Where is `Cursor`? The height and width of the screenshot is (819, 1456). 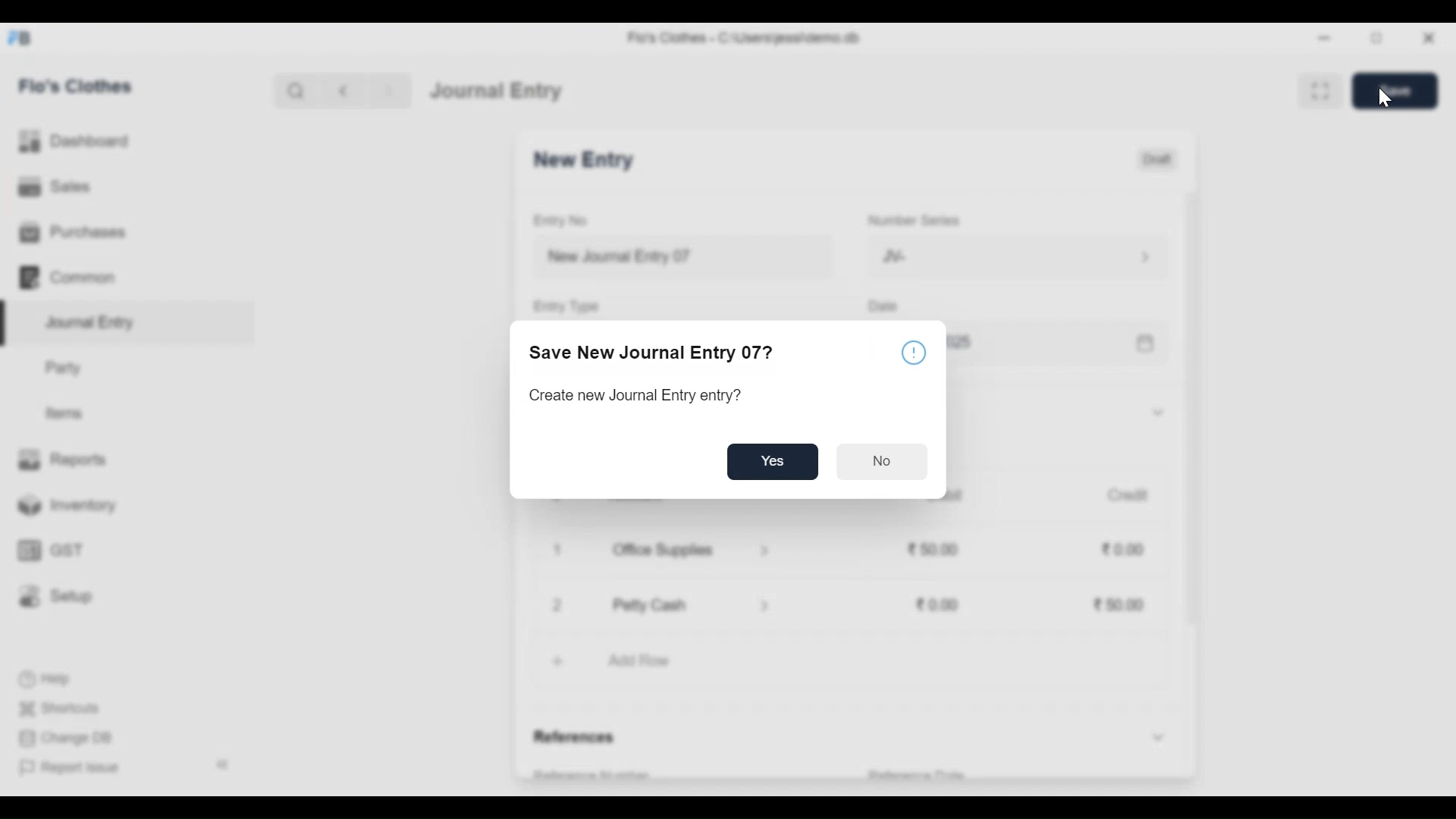
Cursor is located at coordinates (1384, 99).